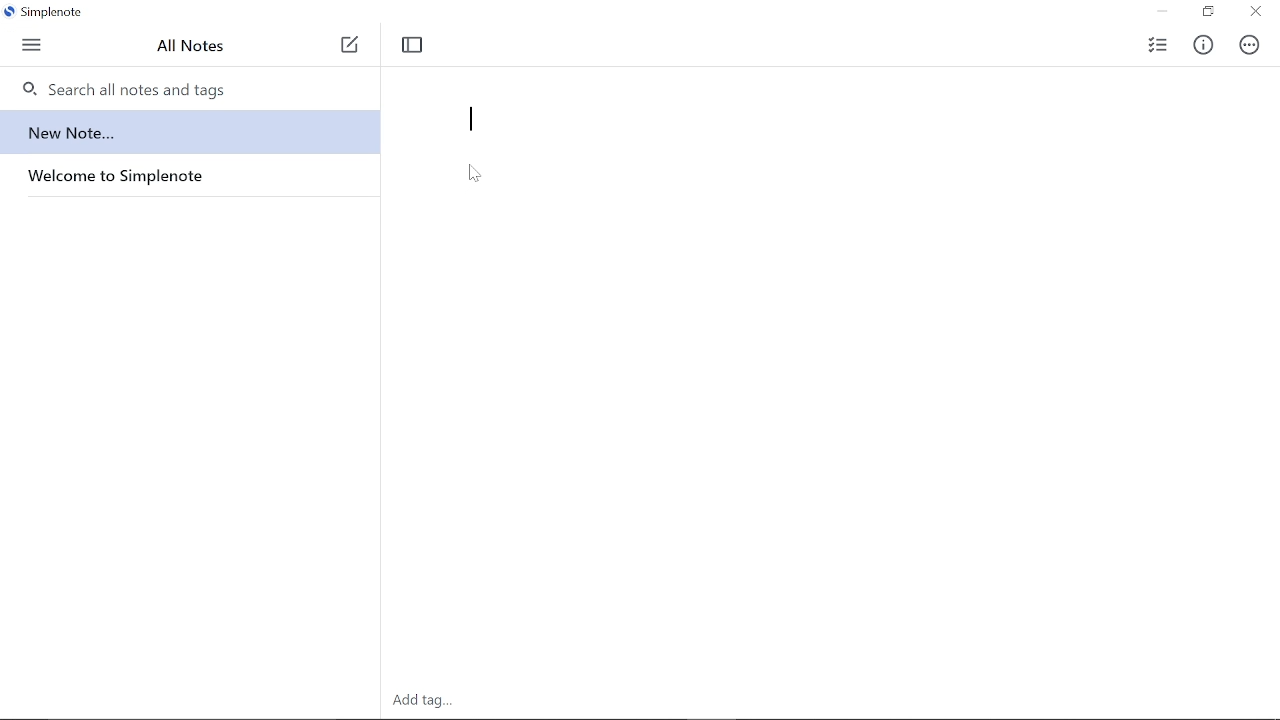 Image resolution: width=1280 pixels, height=720 pixels. Describe the element at coordinates (1205, 48) in the screenshot. I see `Info` at that location.